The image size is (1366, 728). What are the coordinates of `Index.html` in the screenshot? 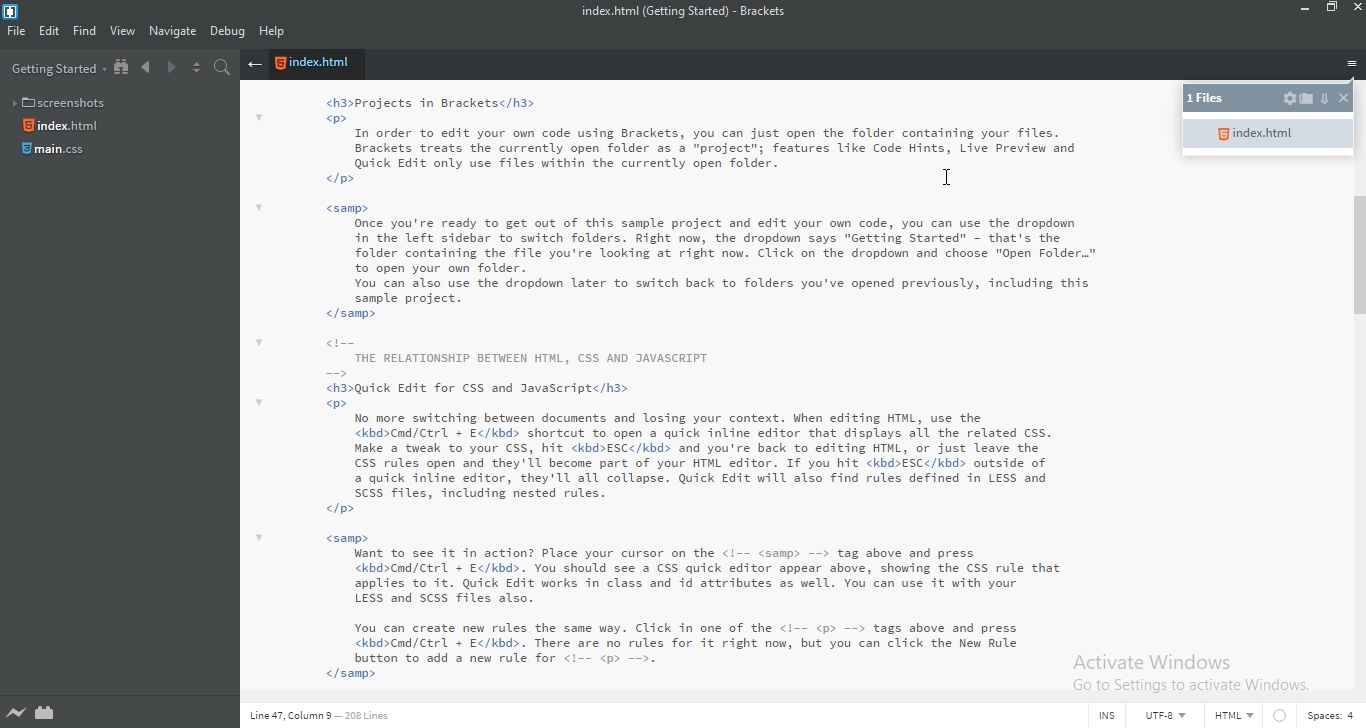 It's located at (316, 65).